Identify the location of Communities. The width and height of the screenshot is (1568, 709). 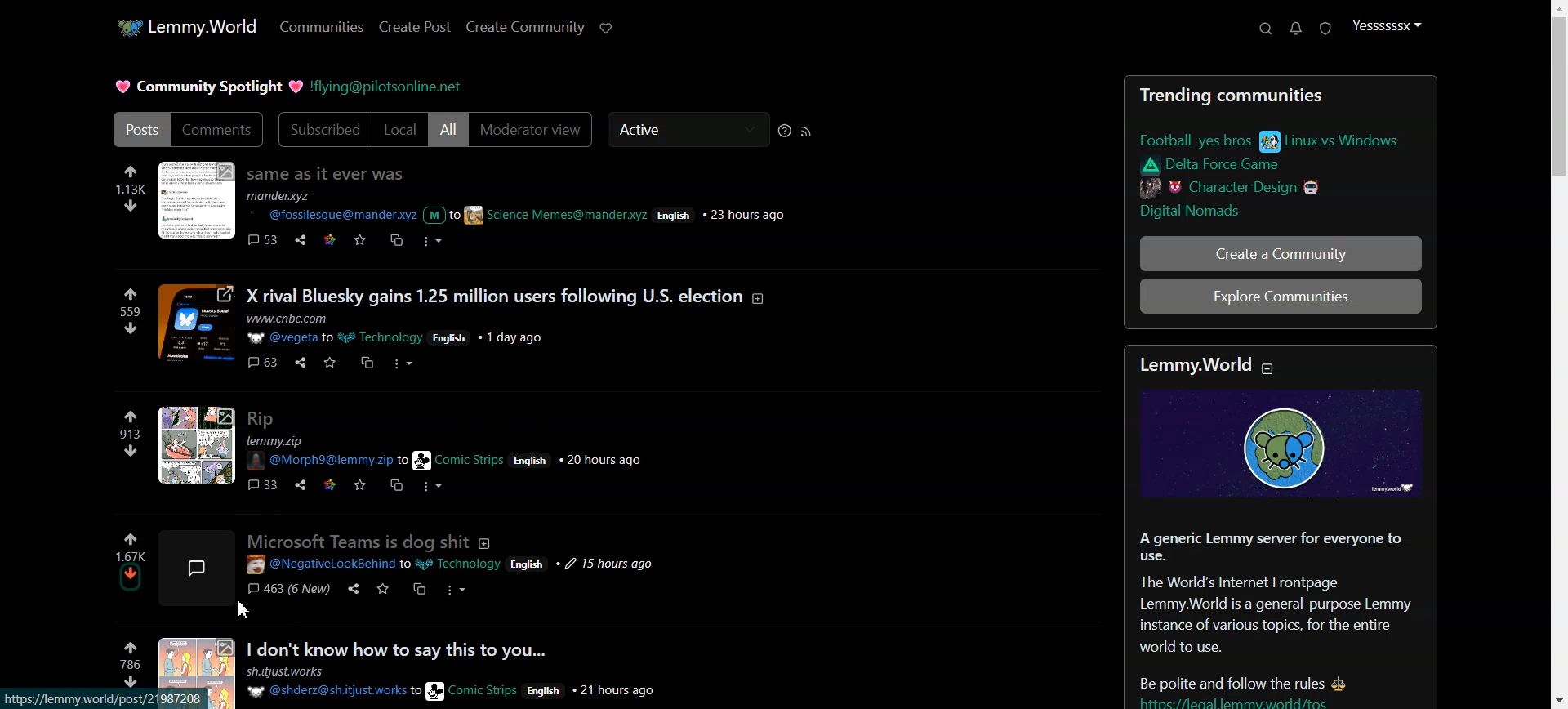
(322, 26).